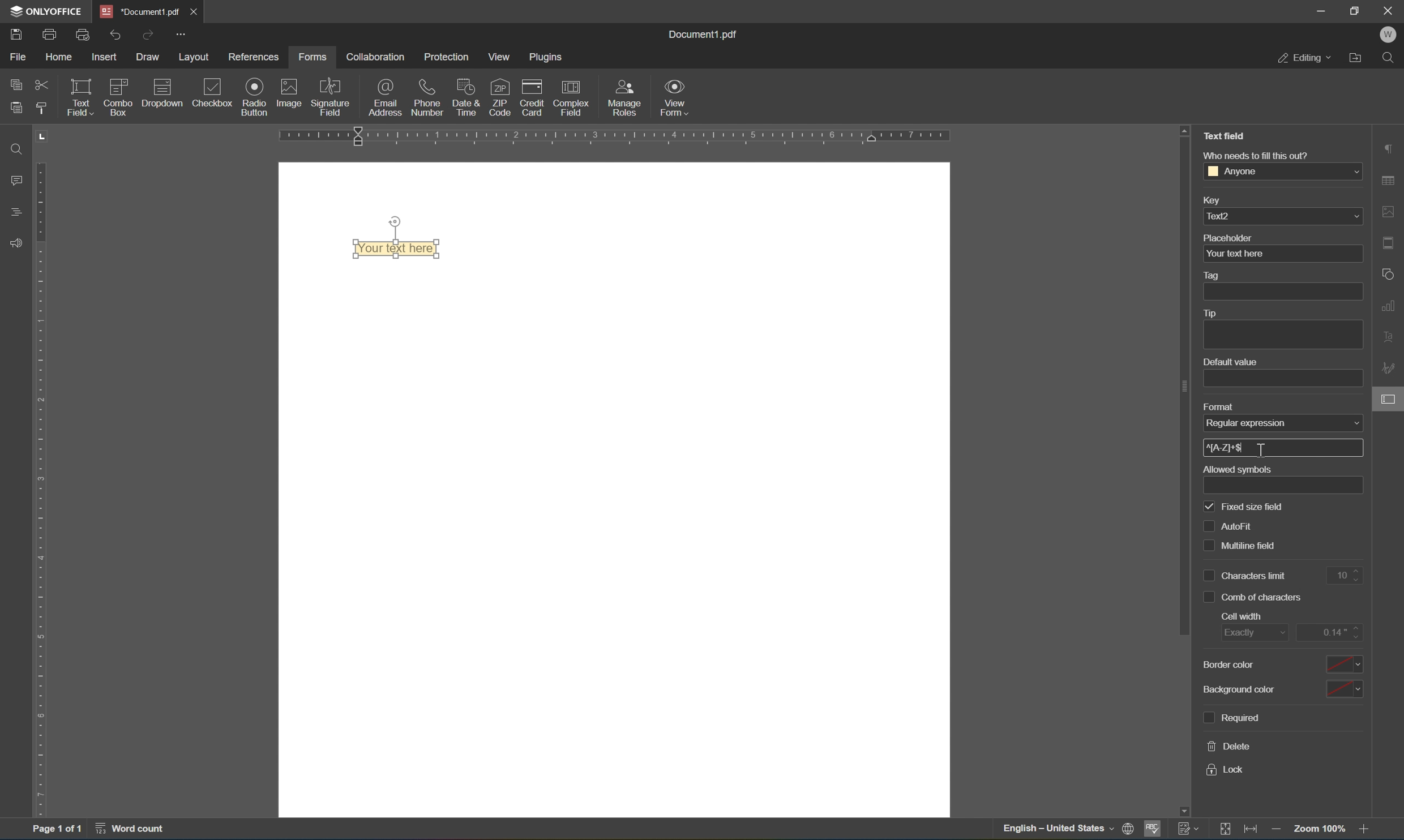 This screenshot has width=1404, height=840. I want to click on ruler, so click(37, 490).